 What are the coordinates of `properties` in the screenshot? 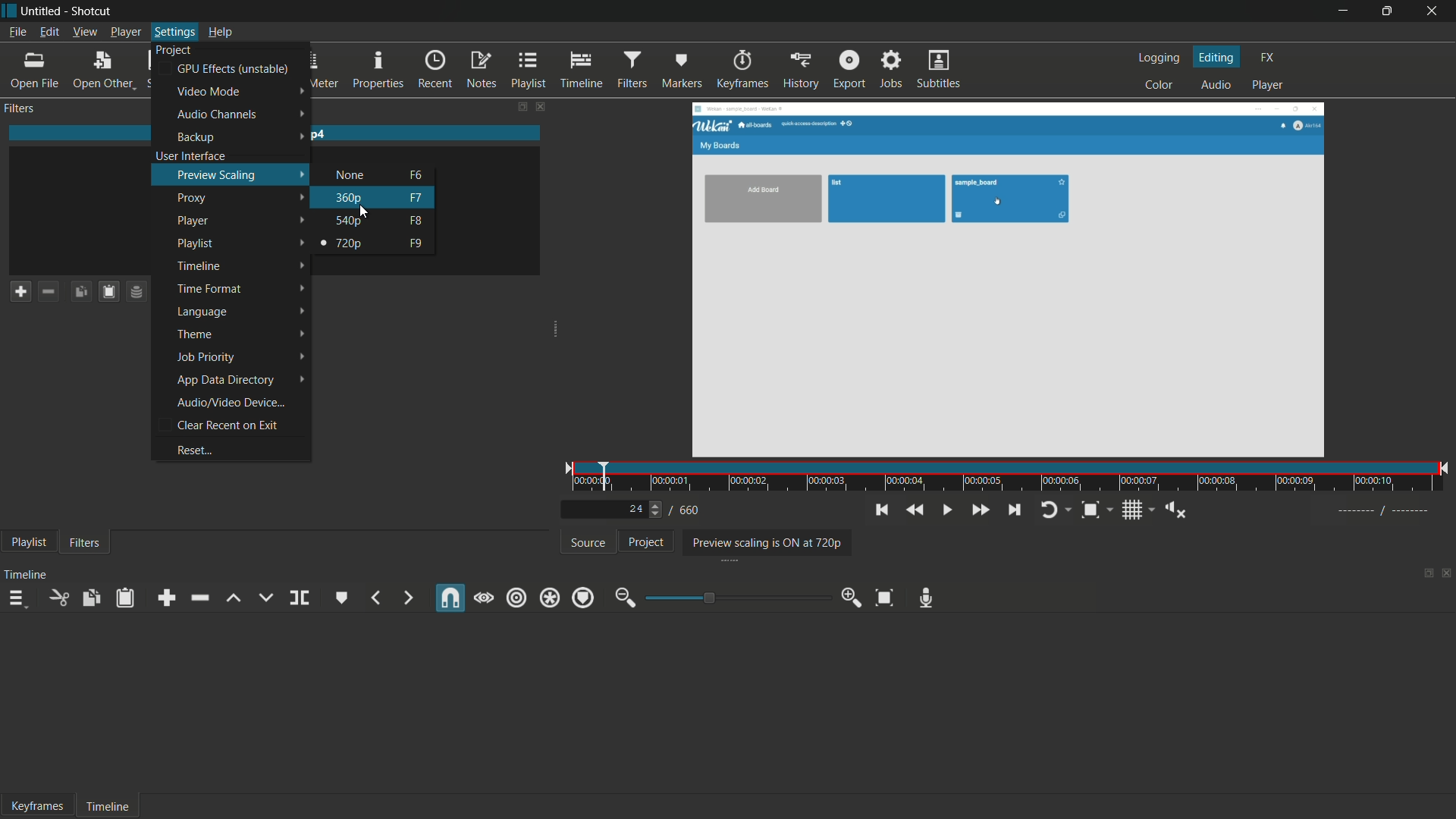 It's located at (379, 69).